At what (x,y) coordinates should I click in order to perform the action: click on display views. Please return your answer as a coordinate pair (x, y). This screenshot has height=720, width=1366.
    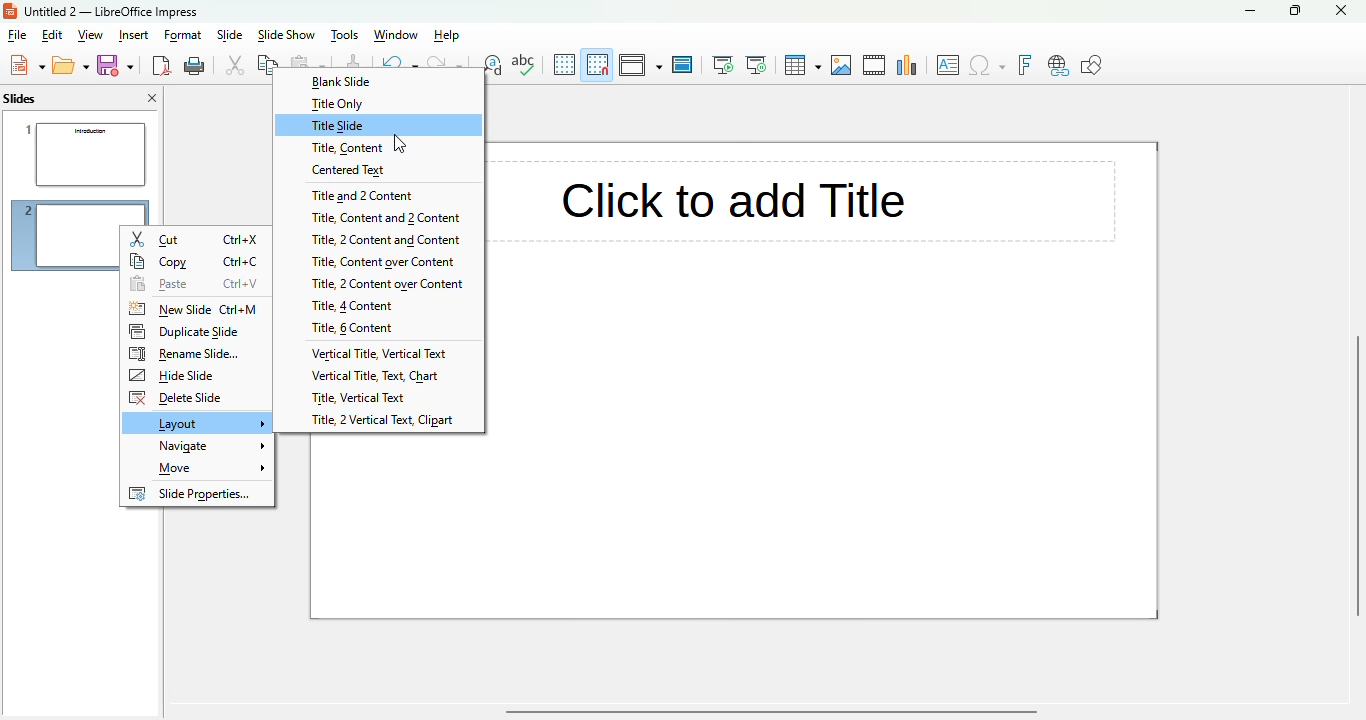
    Looking at the image, I should click on (641, 64).